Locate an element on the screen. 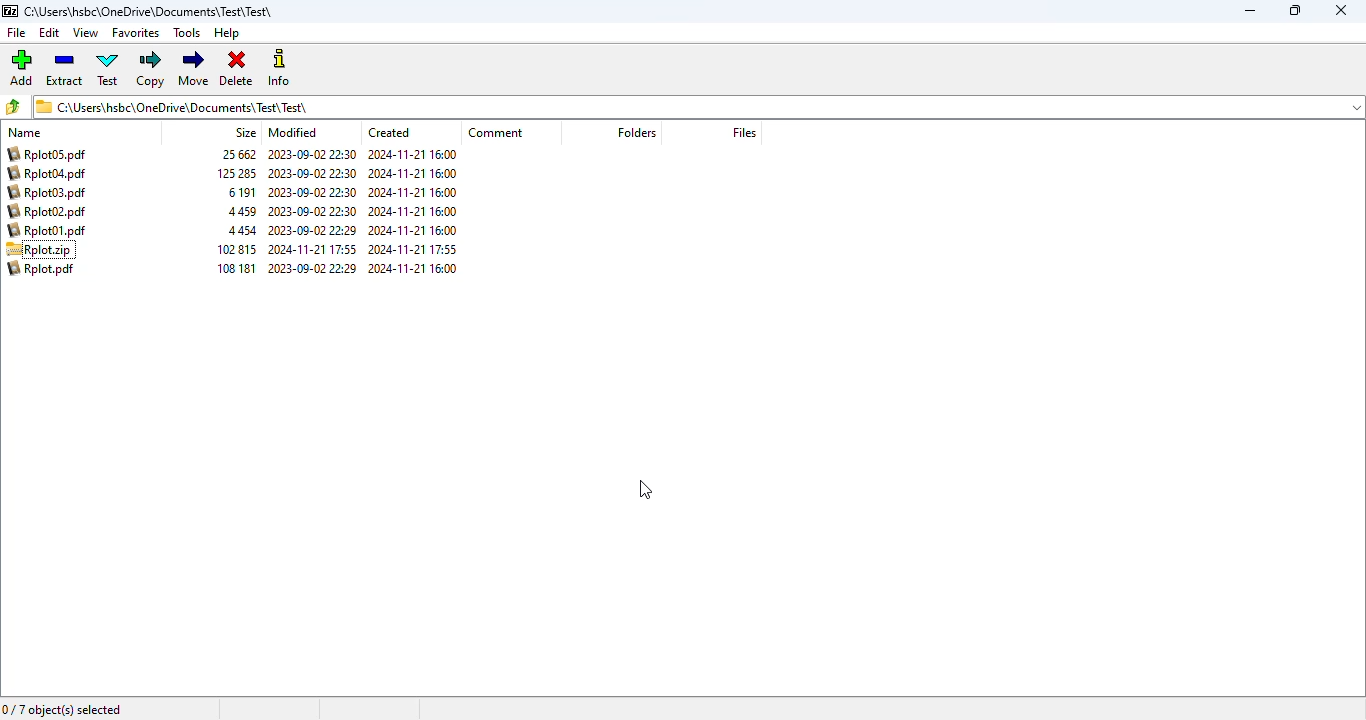  collapse is located at coordinates (1356, 108).